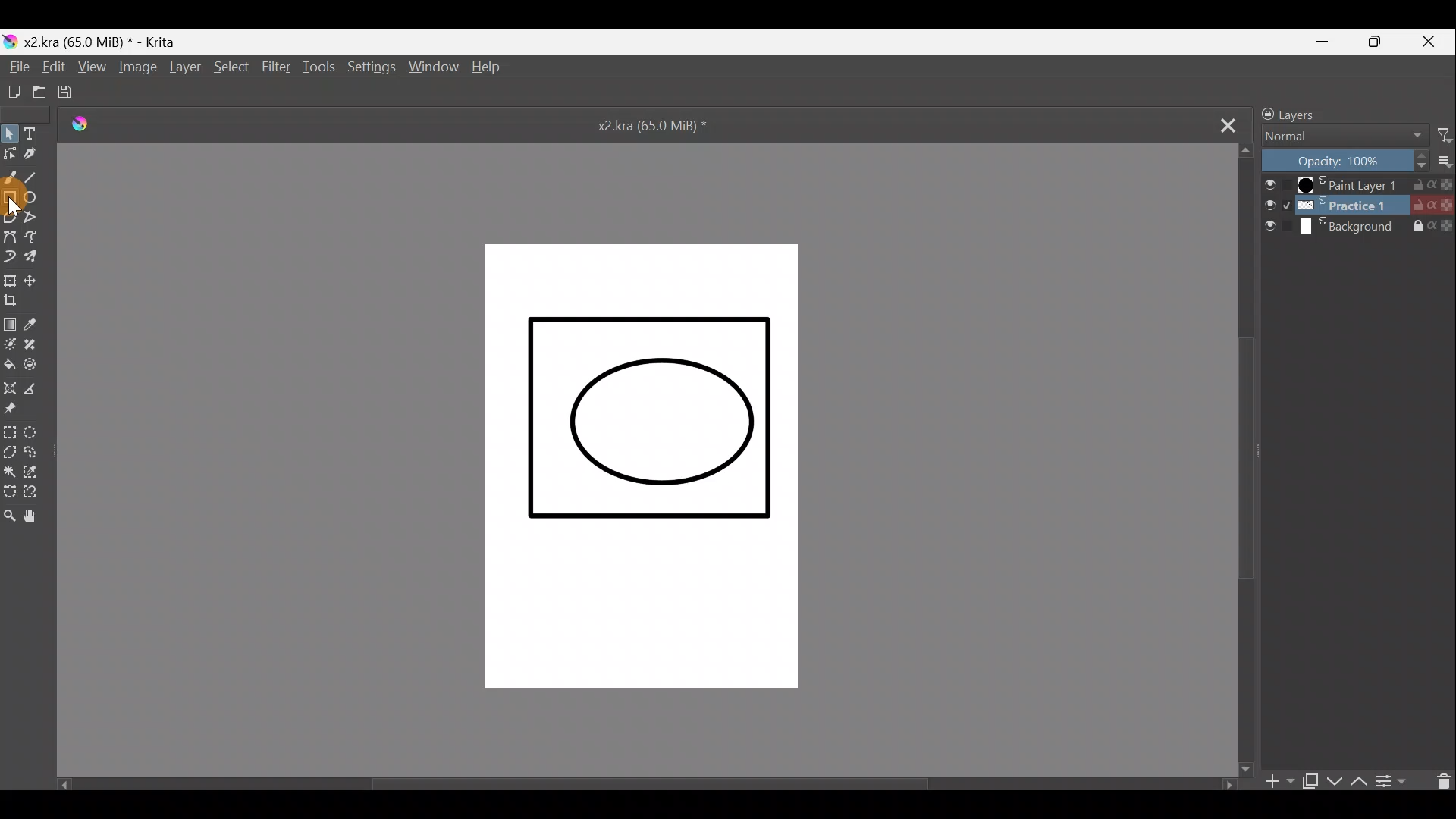 This screenshot has height=819, width=1456. Describe the element at coordinates (39, 238) in the screenshot. I see `Magnetic curve tool` at that location.